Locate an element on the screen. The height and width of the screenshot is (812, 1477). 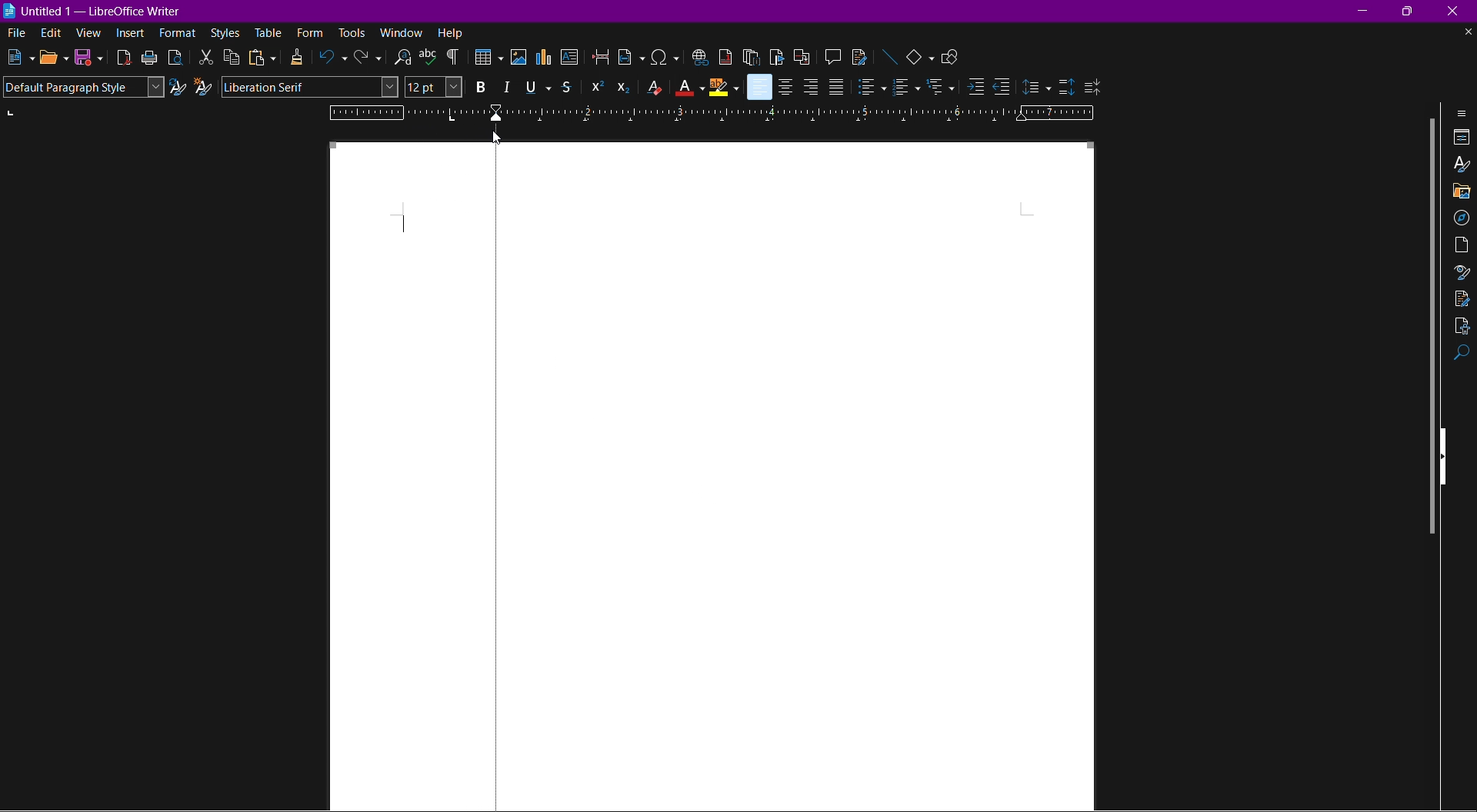
Scrollbar is located at coordinates (1425, 328).